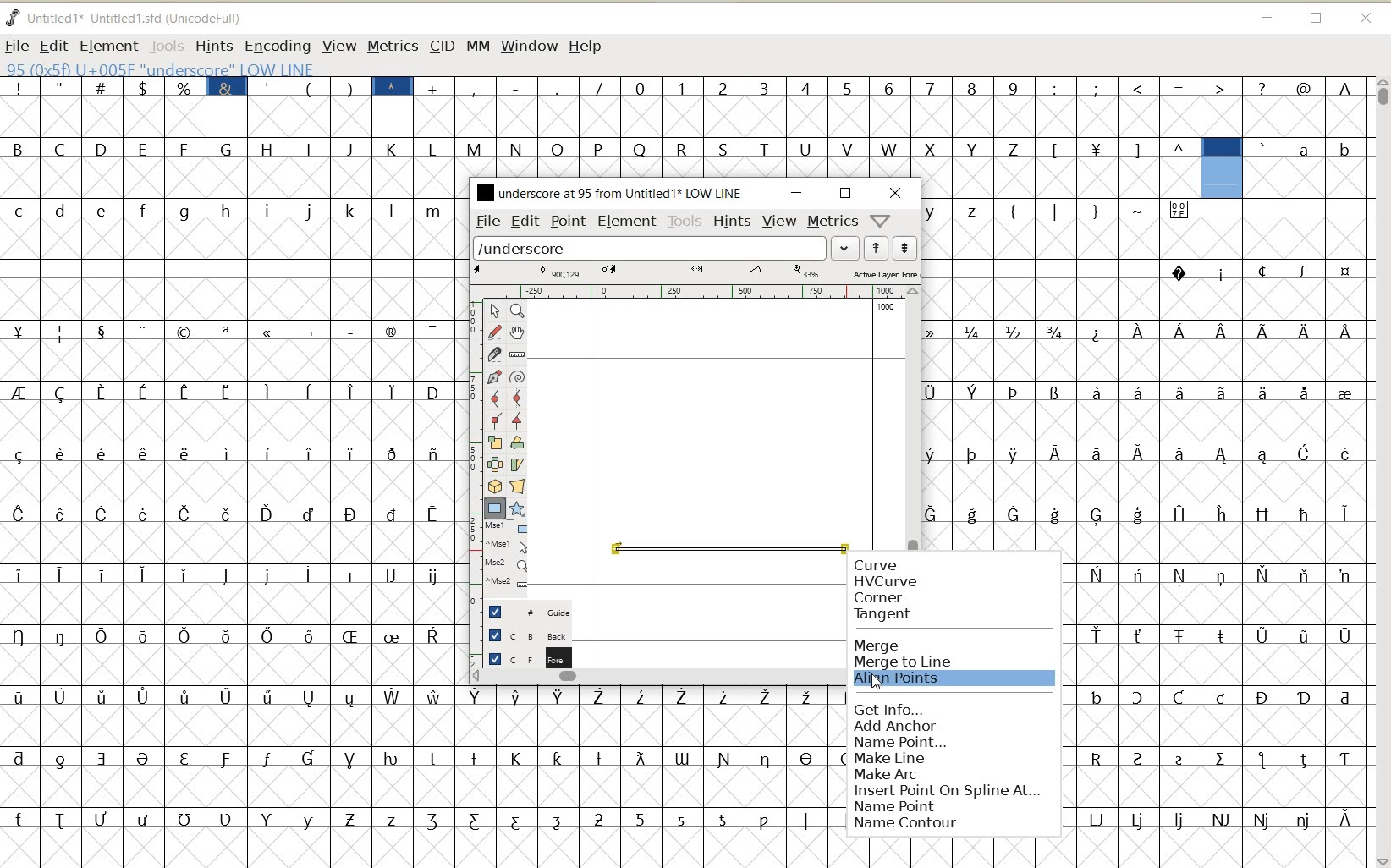 The height and width of the screenshot is (868, 1391). Describe the element at coordinates (1367, 19) in the screenshot. I see `CLOSE` at that location.